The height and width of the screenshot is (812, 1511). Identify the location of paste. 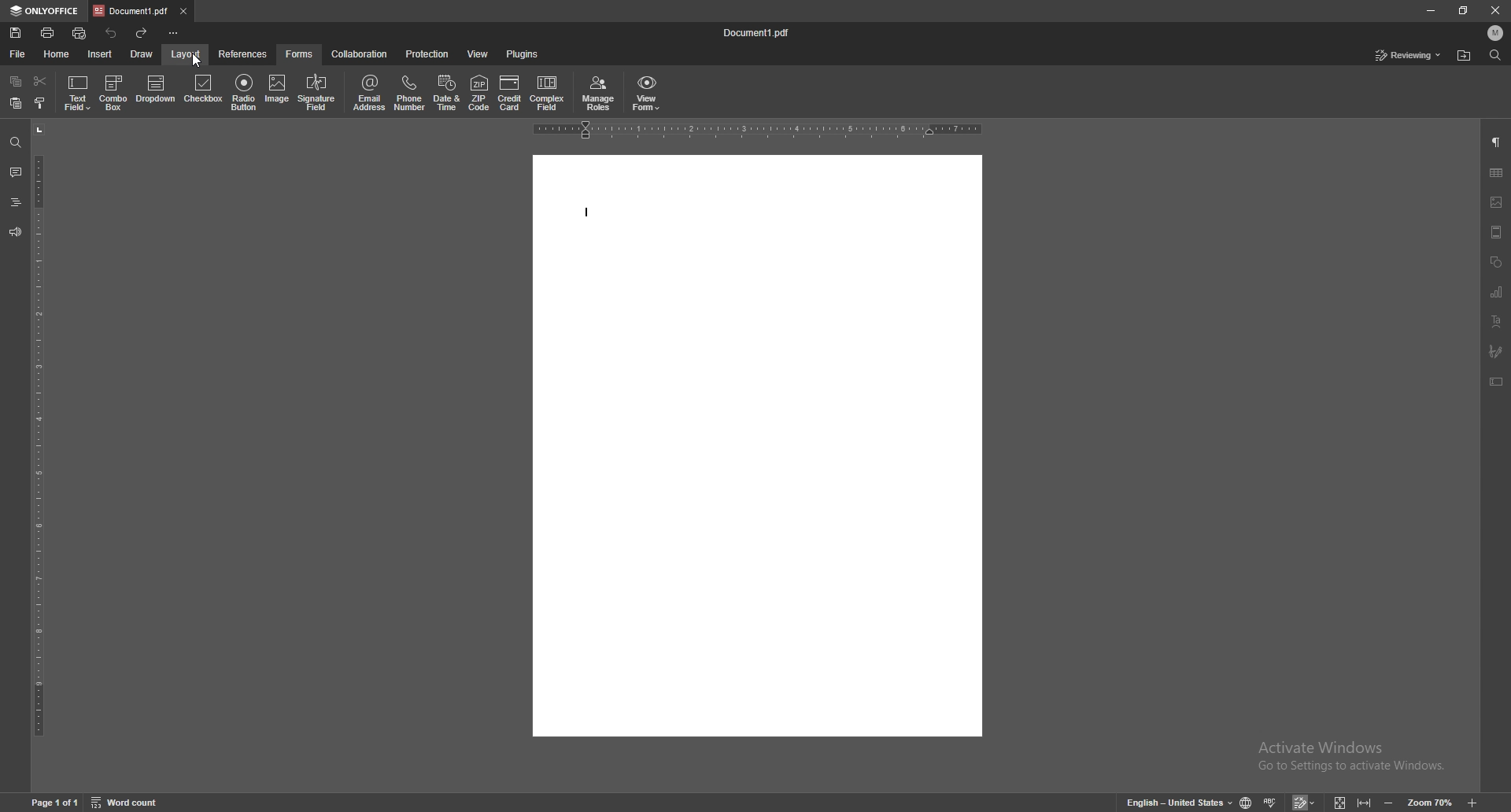
(17, 103).